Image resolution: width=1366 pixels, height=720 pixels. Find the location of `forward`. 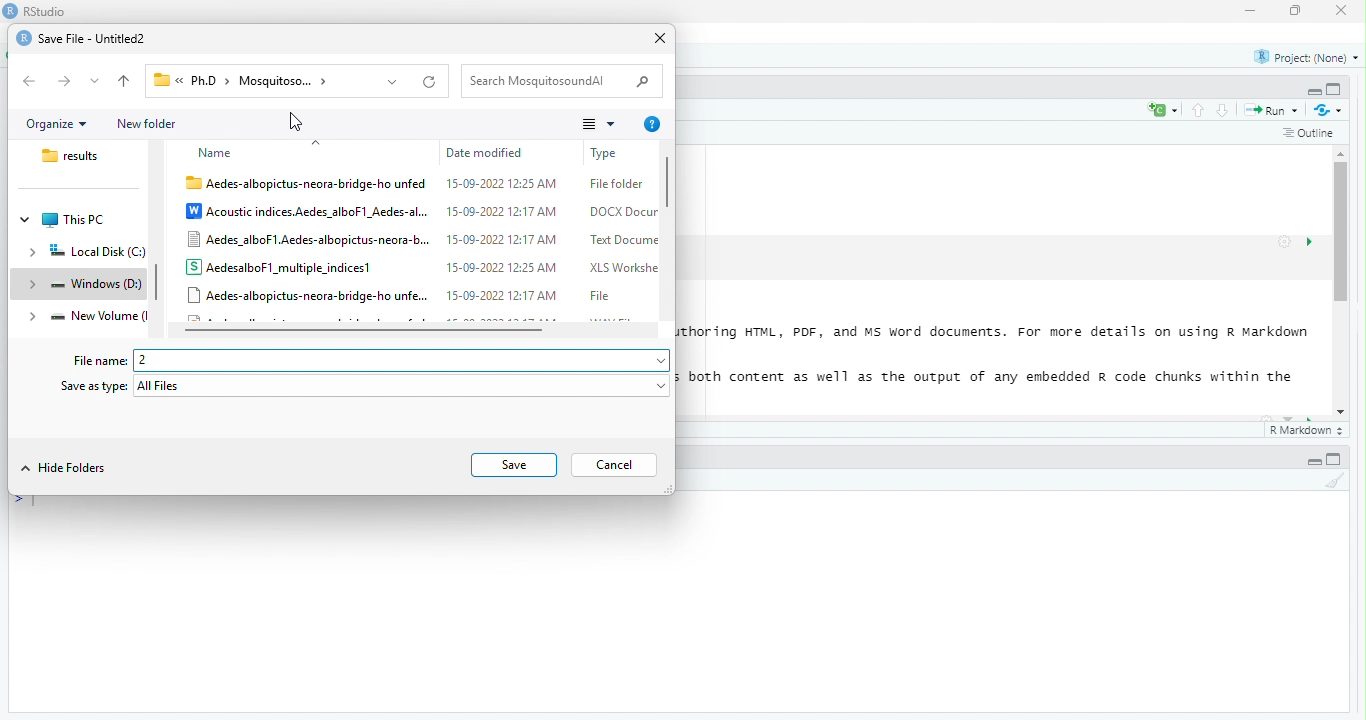

forward is located at coordinates (65, 81).